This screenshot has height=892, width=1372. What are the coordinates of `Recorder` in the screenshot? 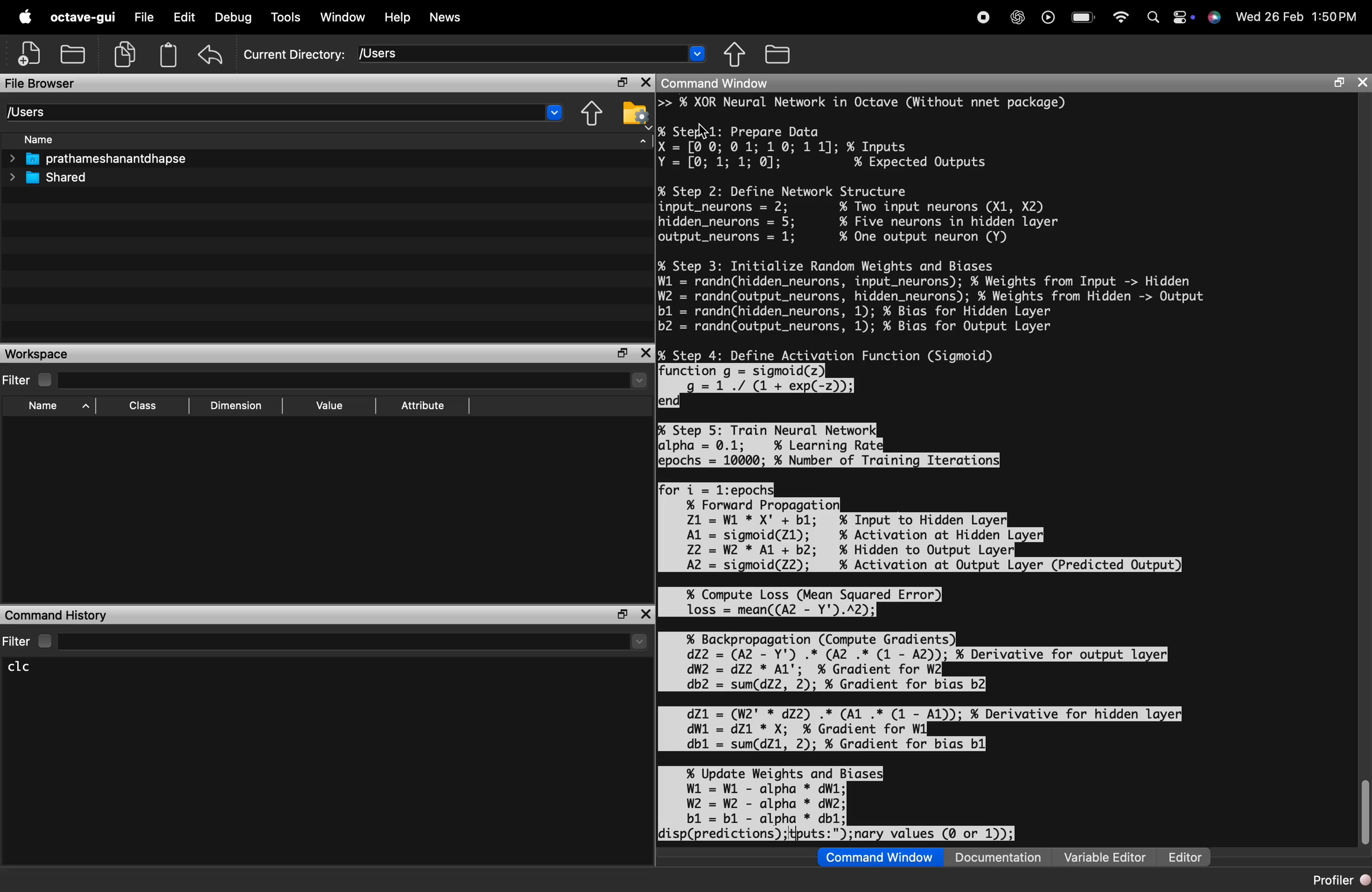 It's located at (982, 17).